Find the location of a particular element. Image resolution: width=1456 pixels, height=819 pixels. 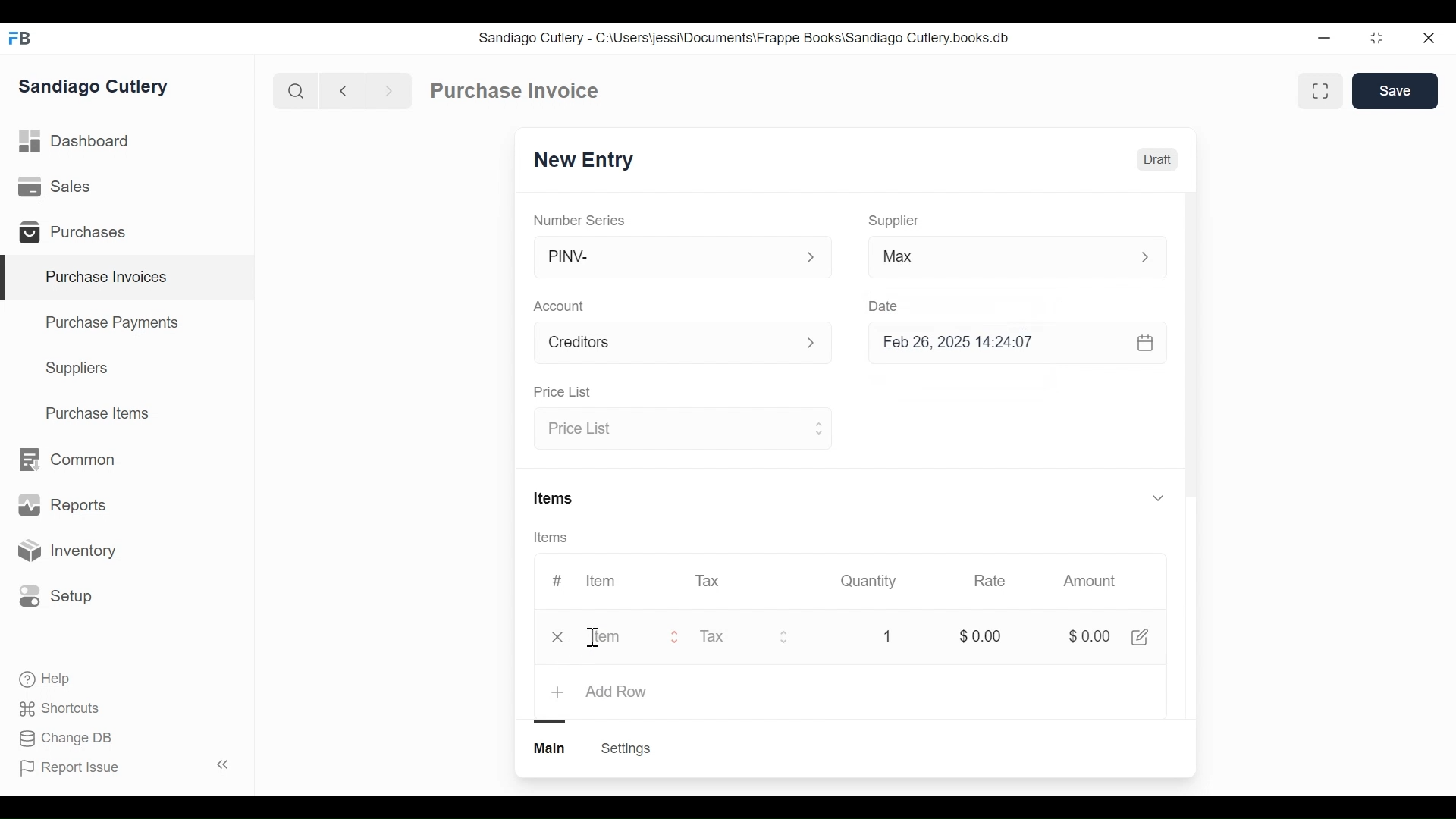

Item is located at coordinates (599, 581).